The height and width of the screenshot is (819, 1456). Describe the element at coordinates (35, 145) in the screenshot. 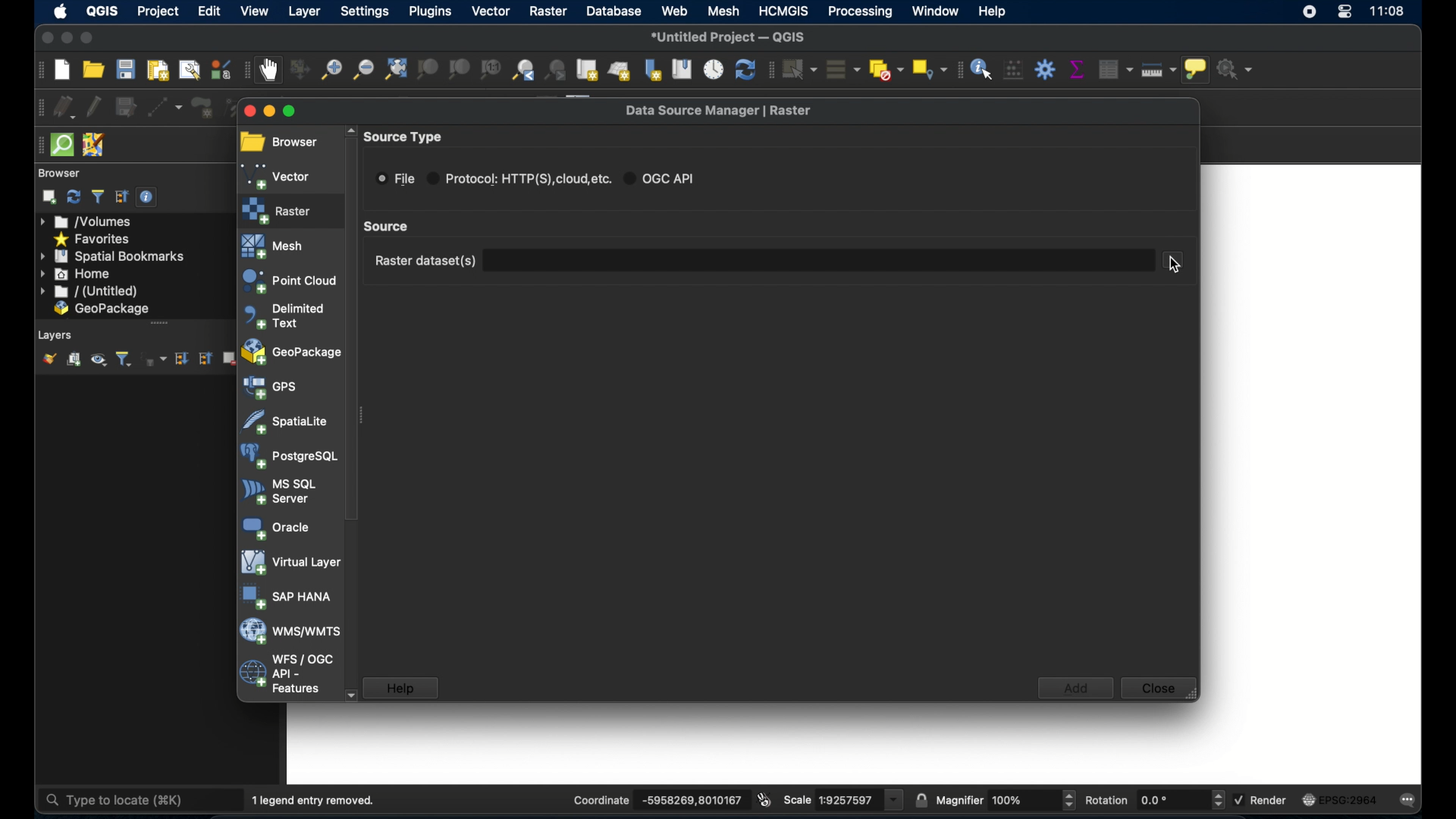

I see `drag handle` at that location.